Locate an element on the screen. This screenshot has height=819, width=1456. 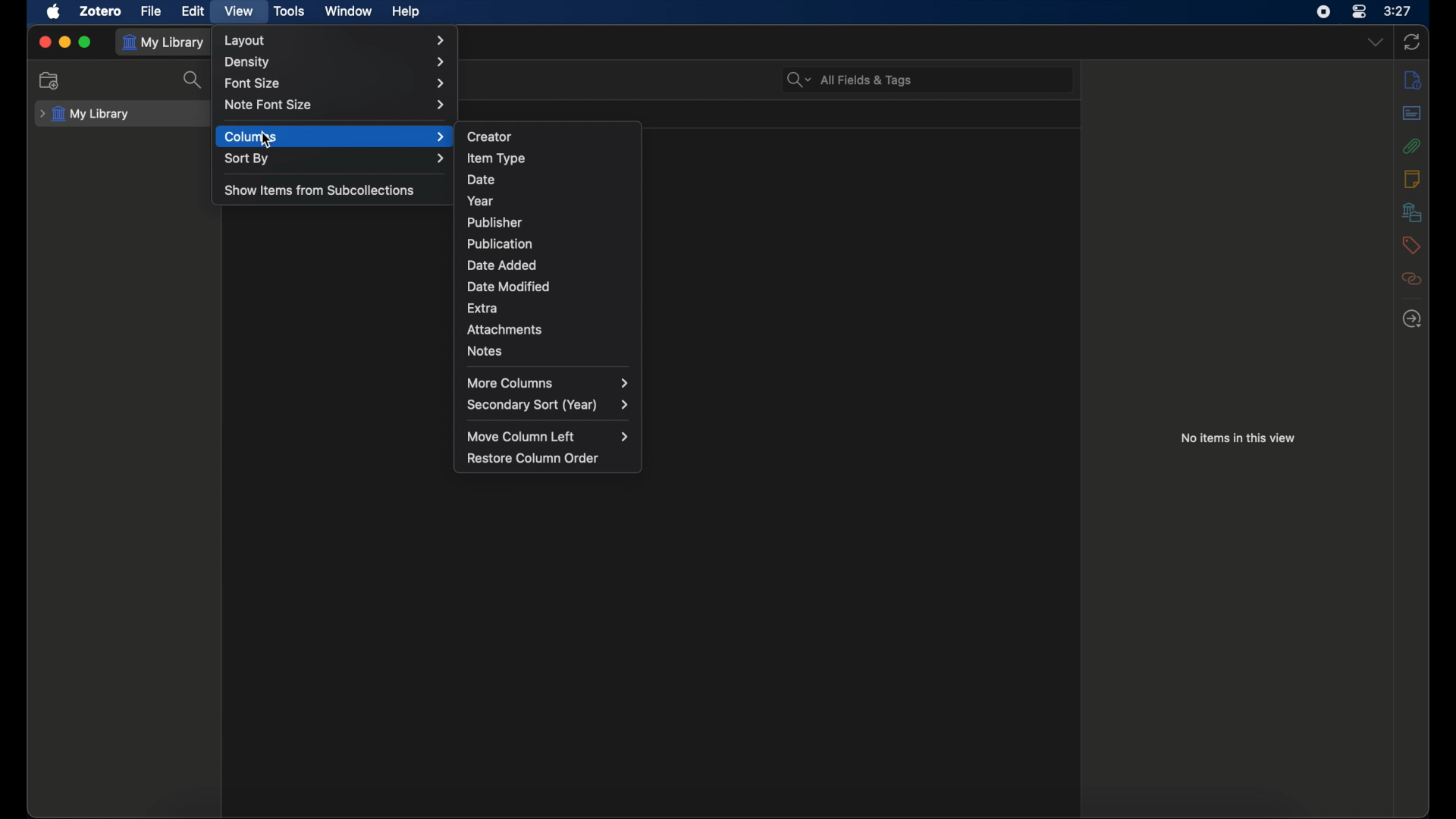
search is located at coordinates (194, 79).